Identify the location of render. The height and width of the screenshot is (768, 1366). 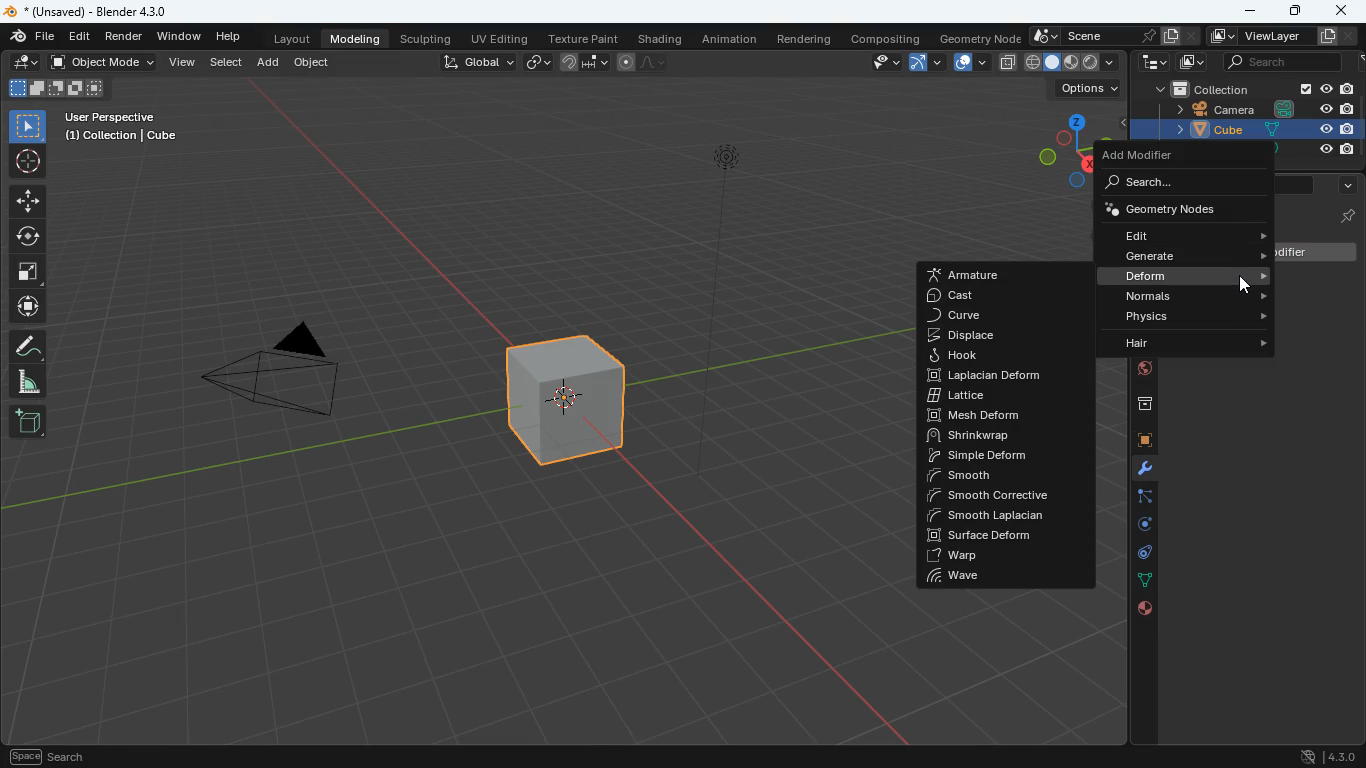
(124, 36).